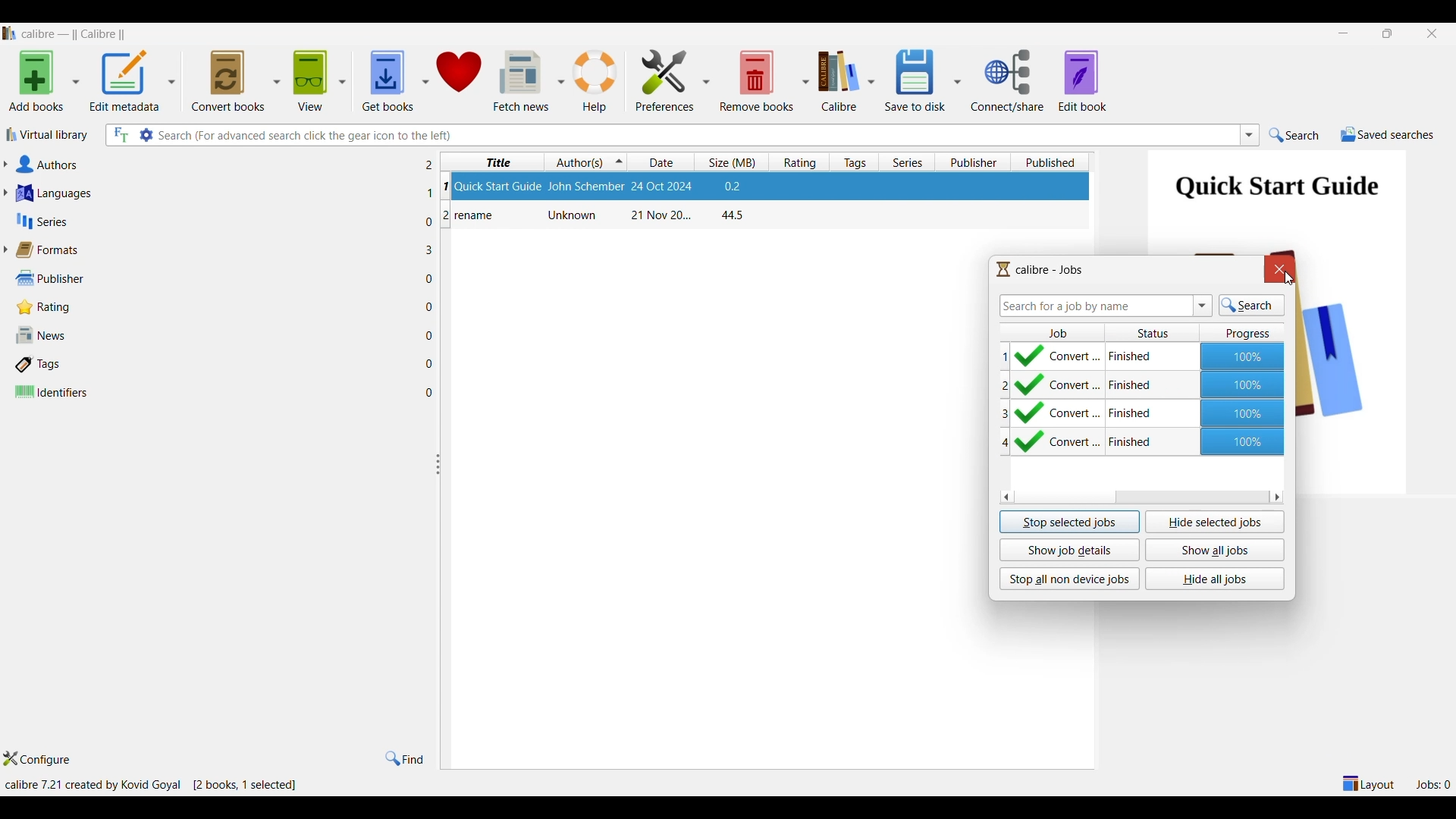 This screenshot has width=1456, height=819. I want to click on Title column, so click(492, 162).